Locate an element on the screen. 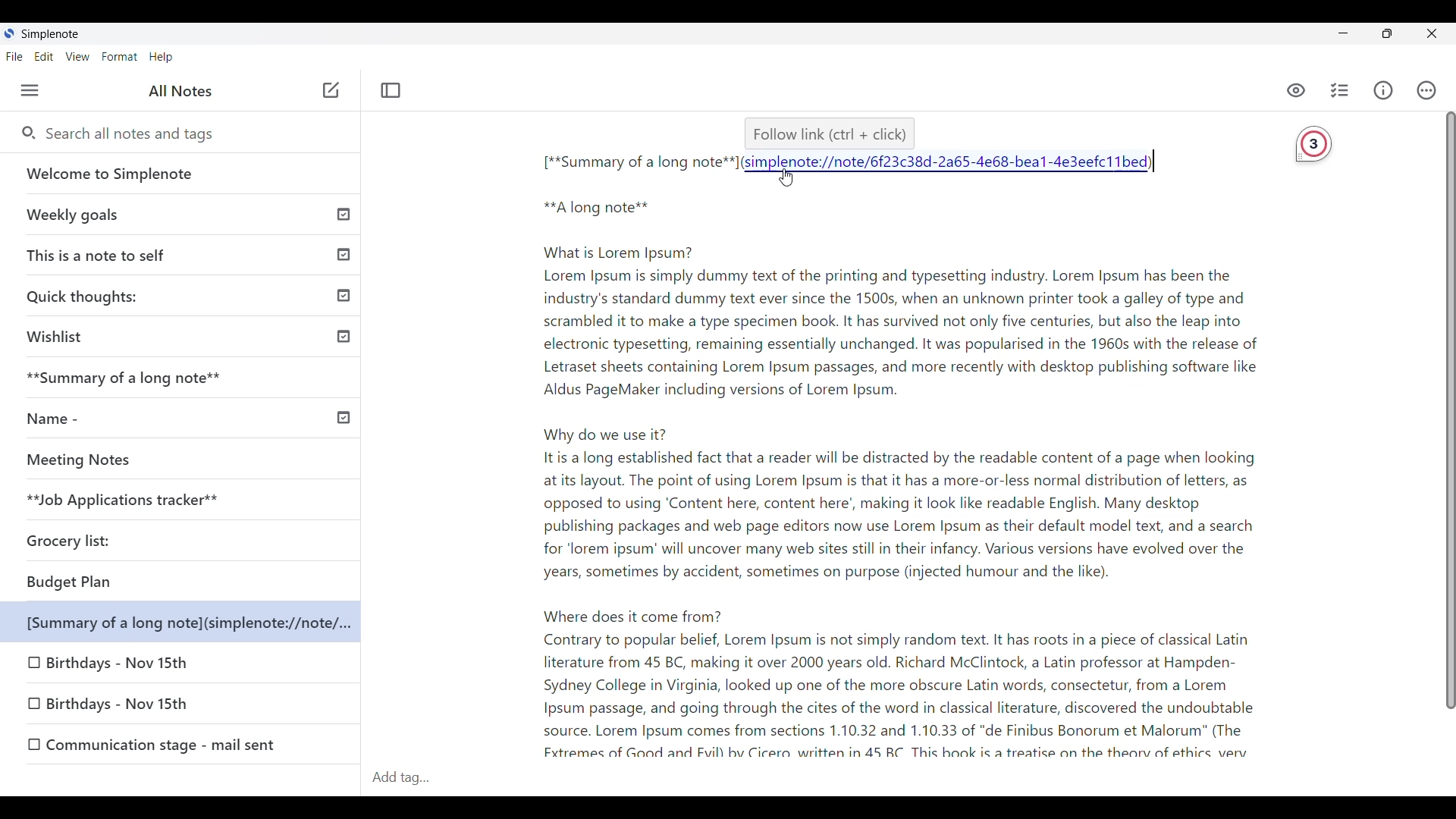 The image size is (1456, 819). Follow link (ctrl + click) is located at coordinates (822, 131).